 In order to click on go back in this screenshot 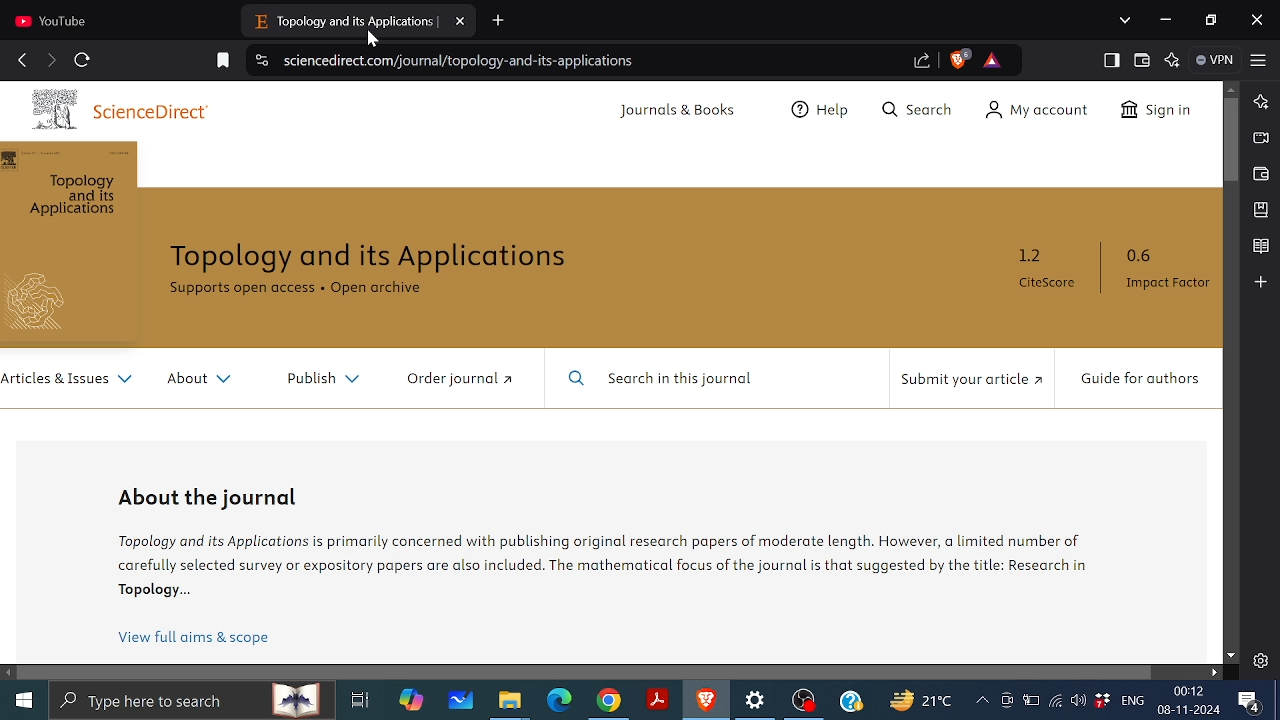, I will do `click(22, 58)`.